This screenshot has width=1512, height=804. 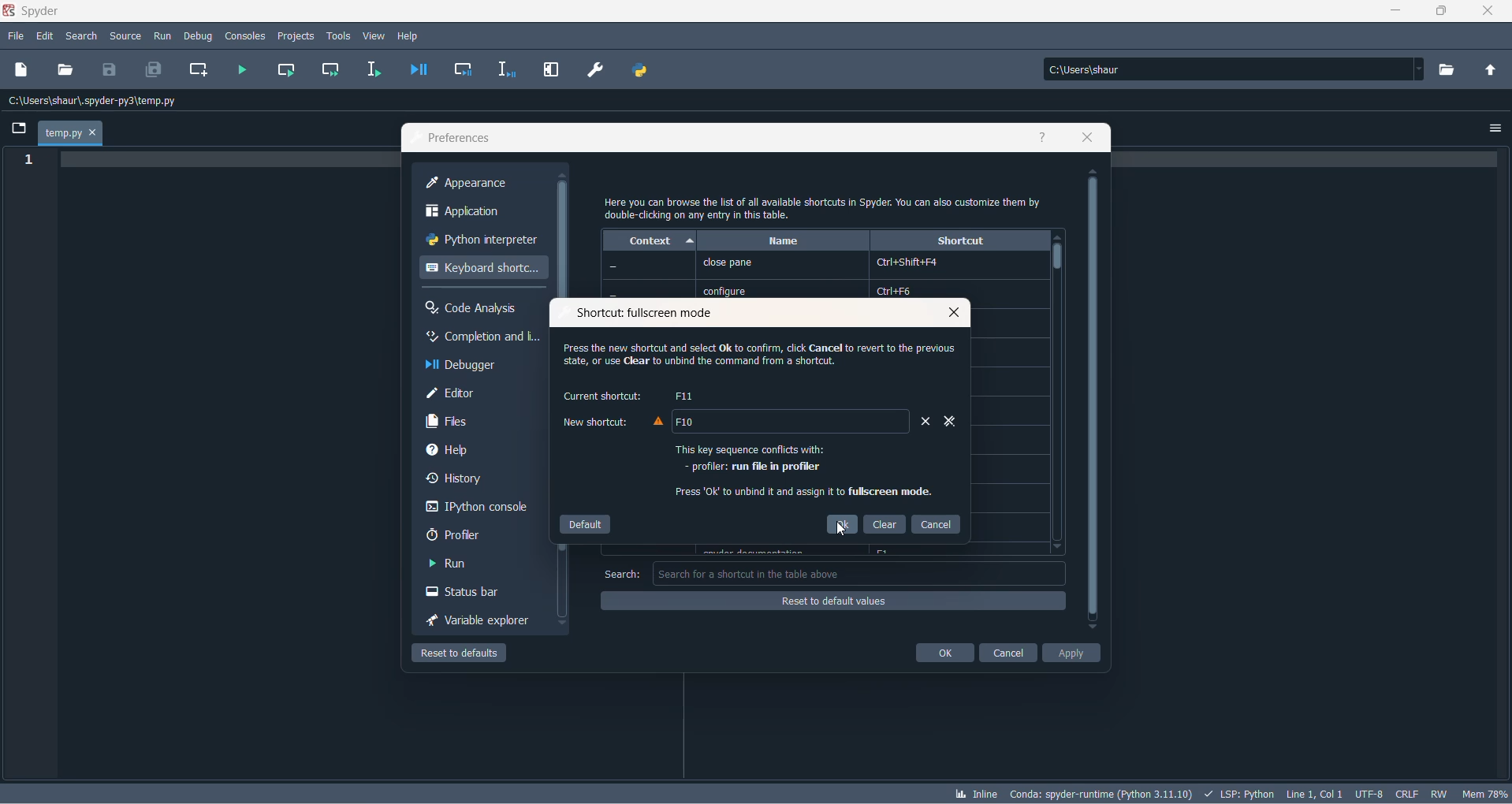 What do you see at coordinates (750, 359) in the screenshot?
I see `text` at bounding box center [750, 359].